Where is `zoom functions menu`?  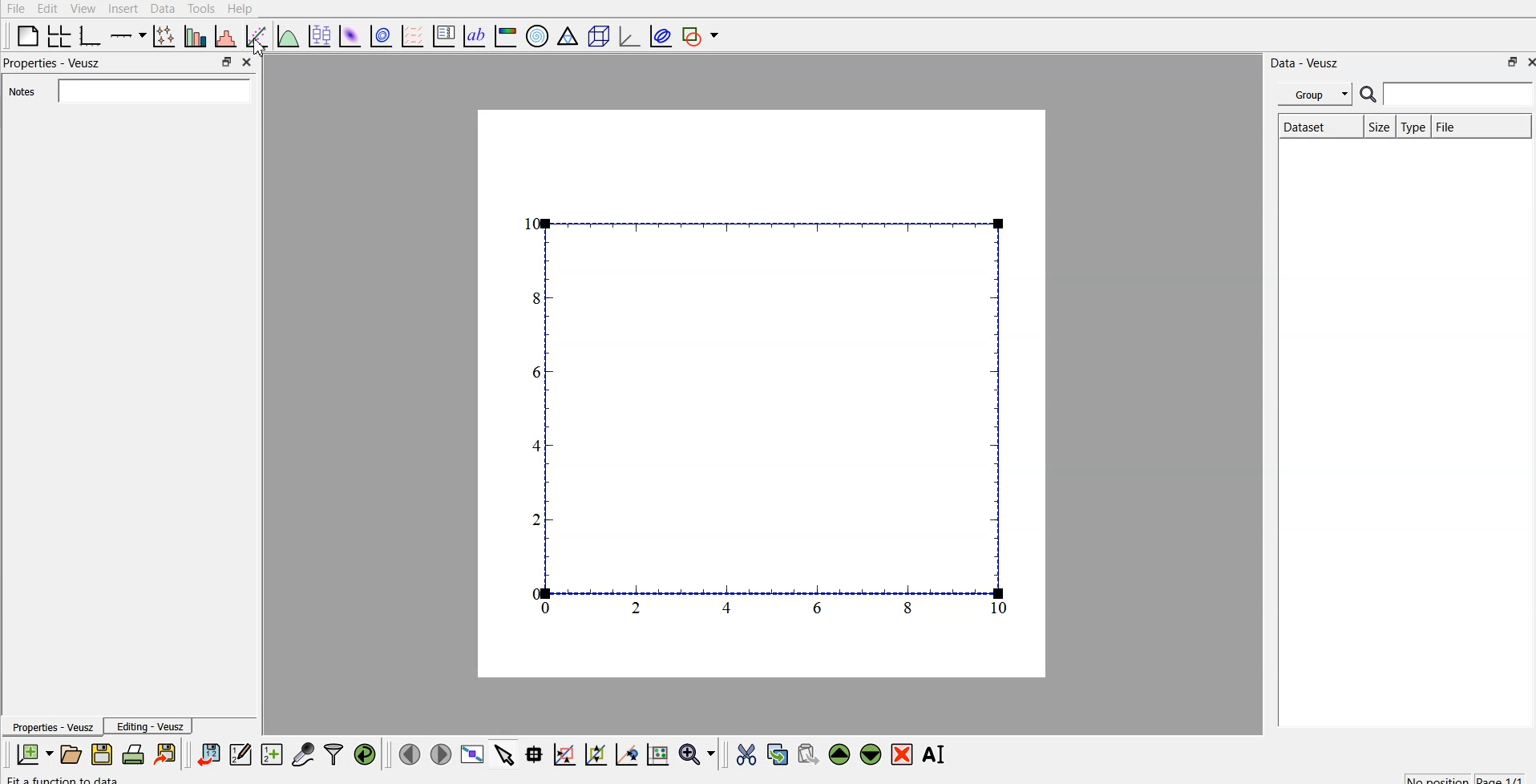 zoom functions menu is located at coordinates (697, 757).